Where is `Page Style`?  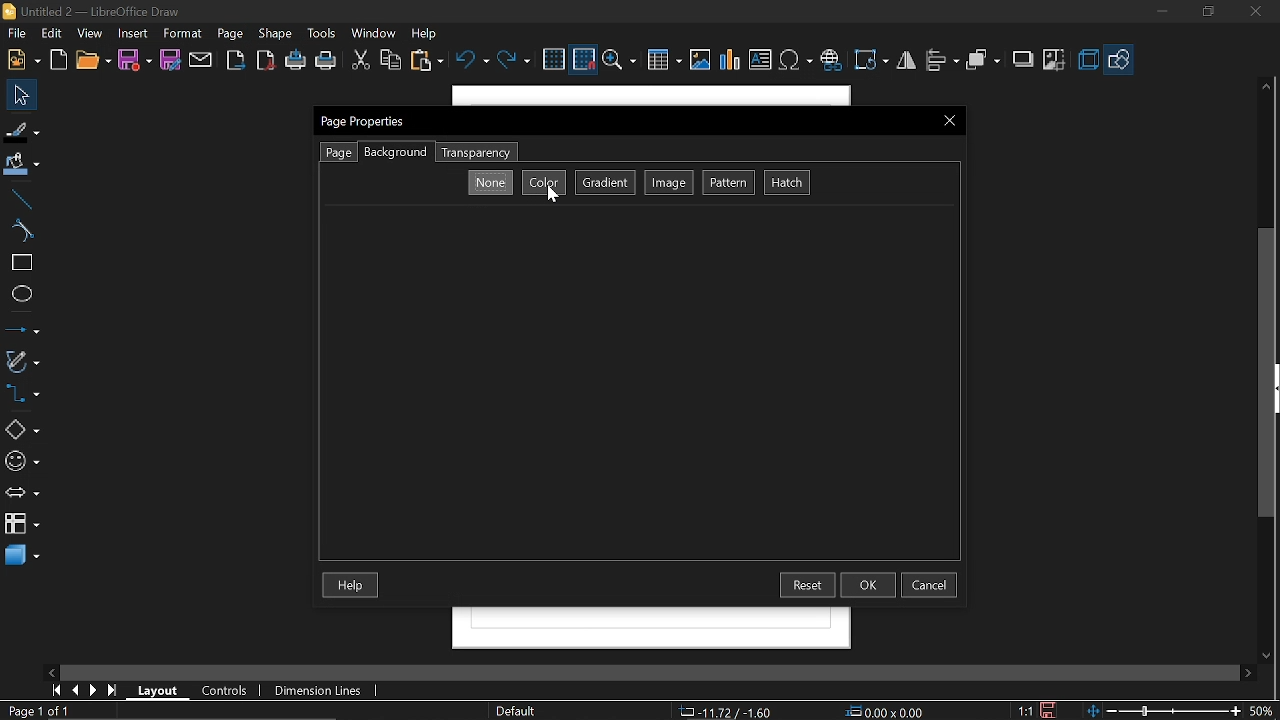 Page Style is located at coordinates (518, 711).